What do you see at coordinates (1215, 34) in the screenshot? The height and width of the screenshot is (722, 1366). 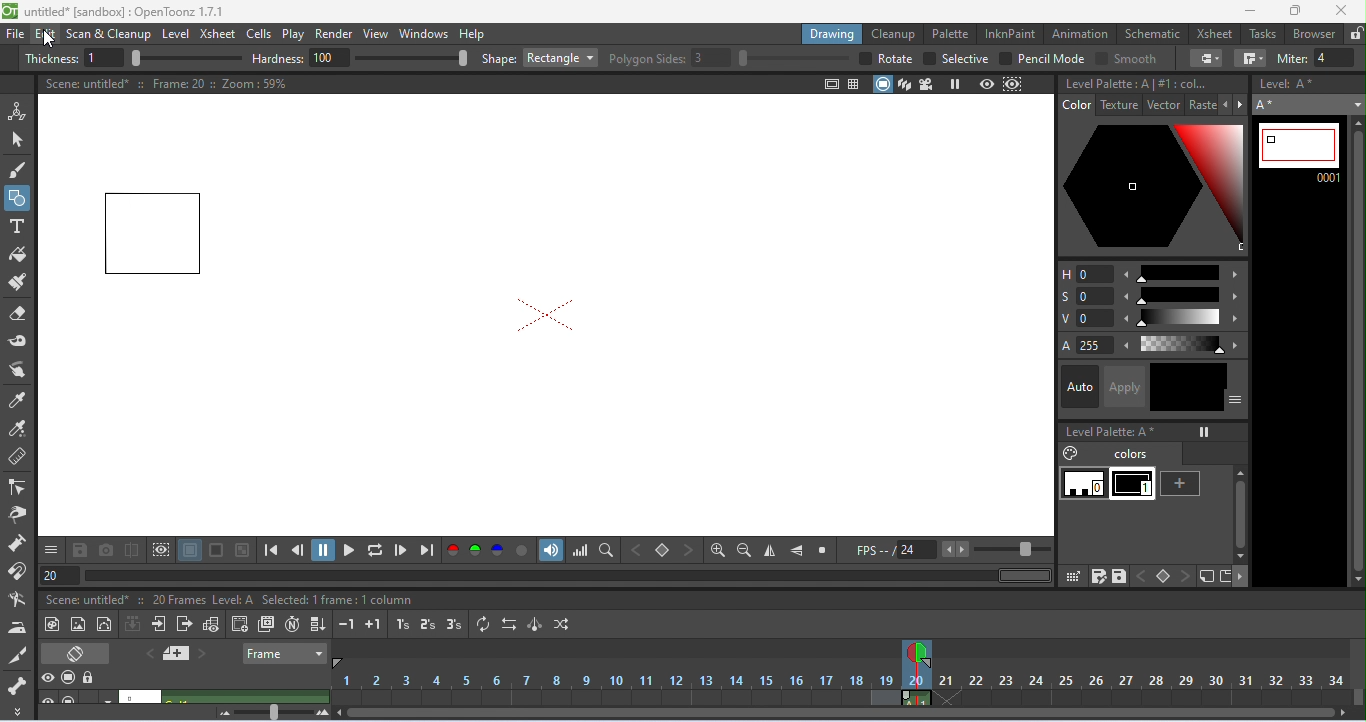 I see `xsheet` at bounding box center [1215, 34].